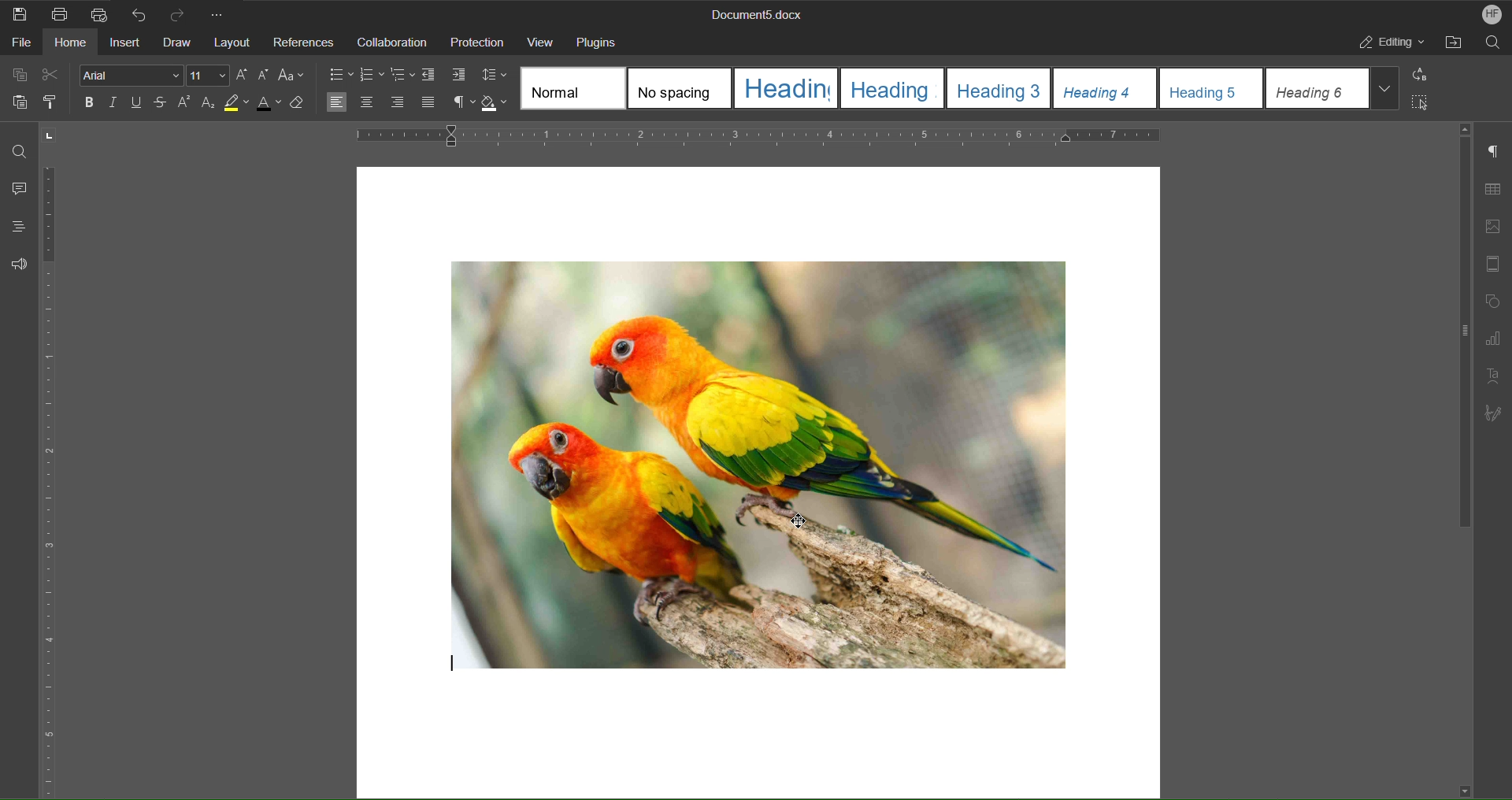  I want to click on Erase Style, so click(306, 107).